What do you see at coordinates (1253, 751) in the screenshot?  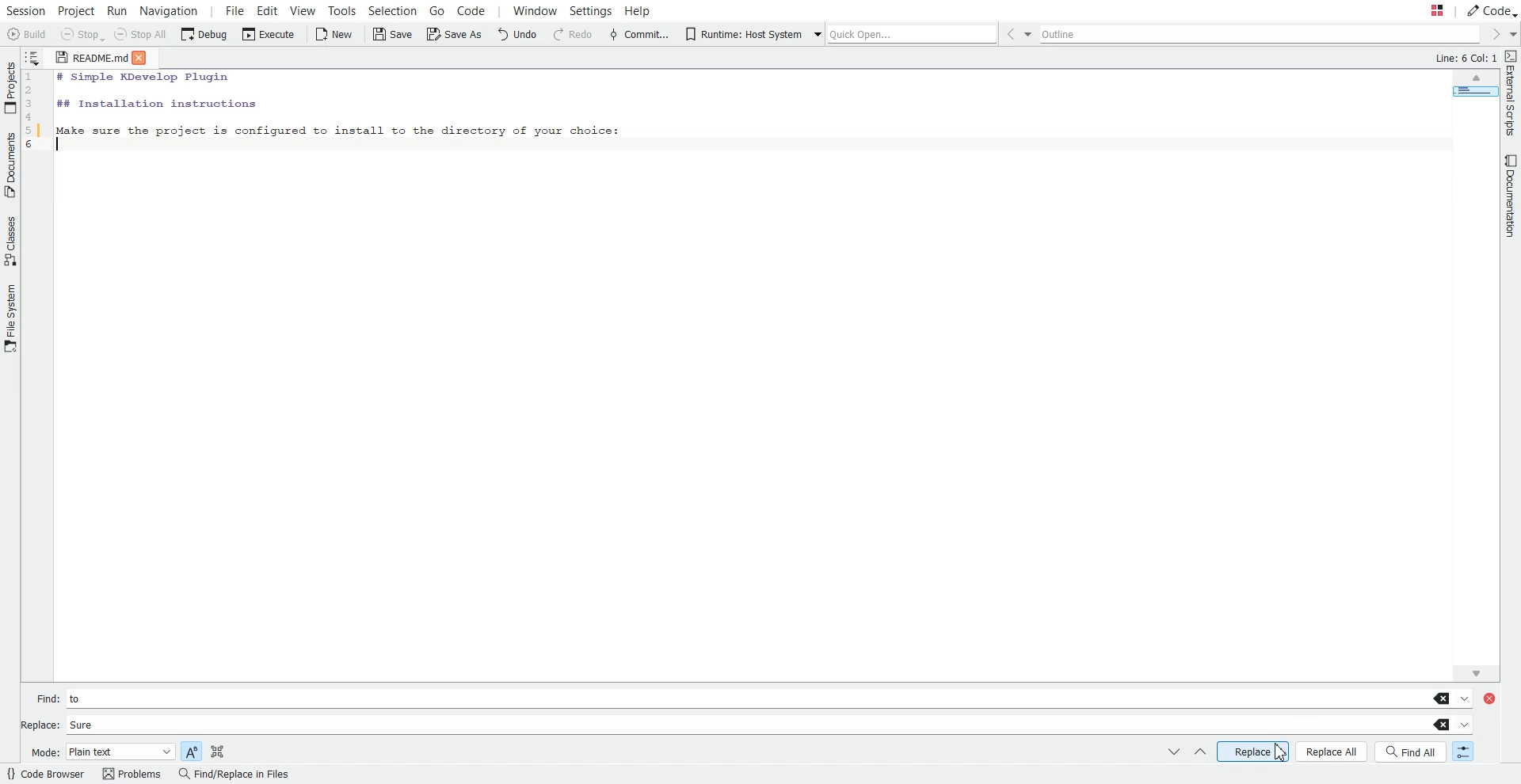 I see `Replace` at bounding box center [1253, 751].